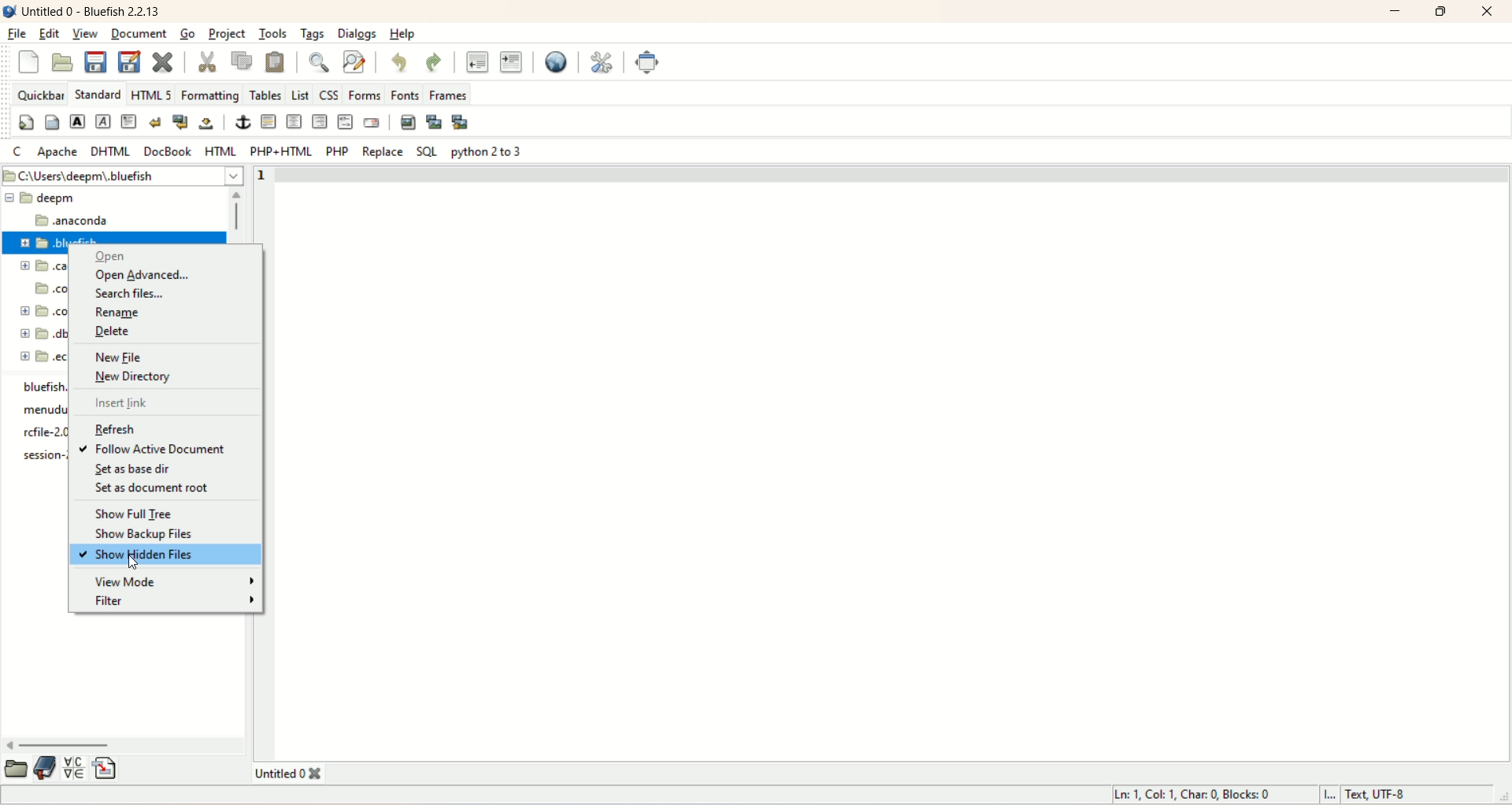 The height and width of the screenshot is (805, 1512). I want to click on break and clear, so click(182, 122).